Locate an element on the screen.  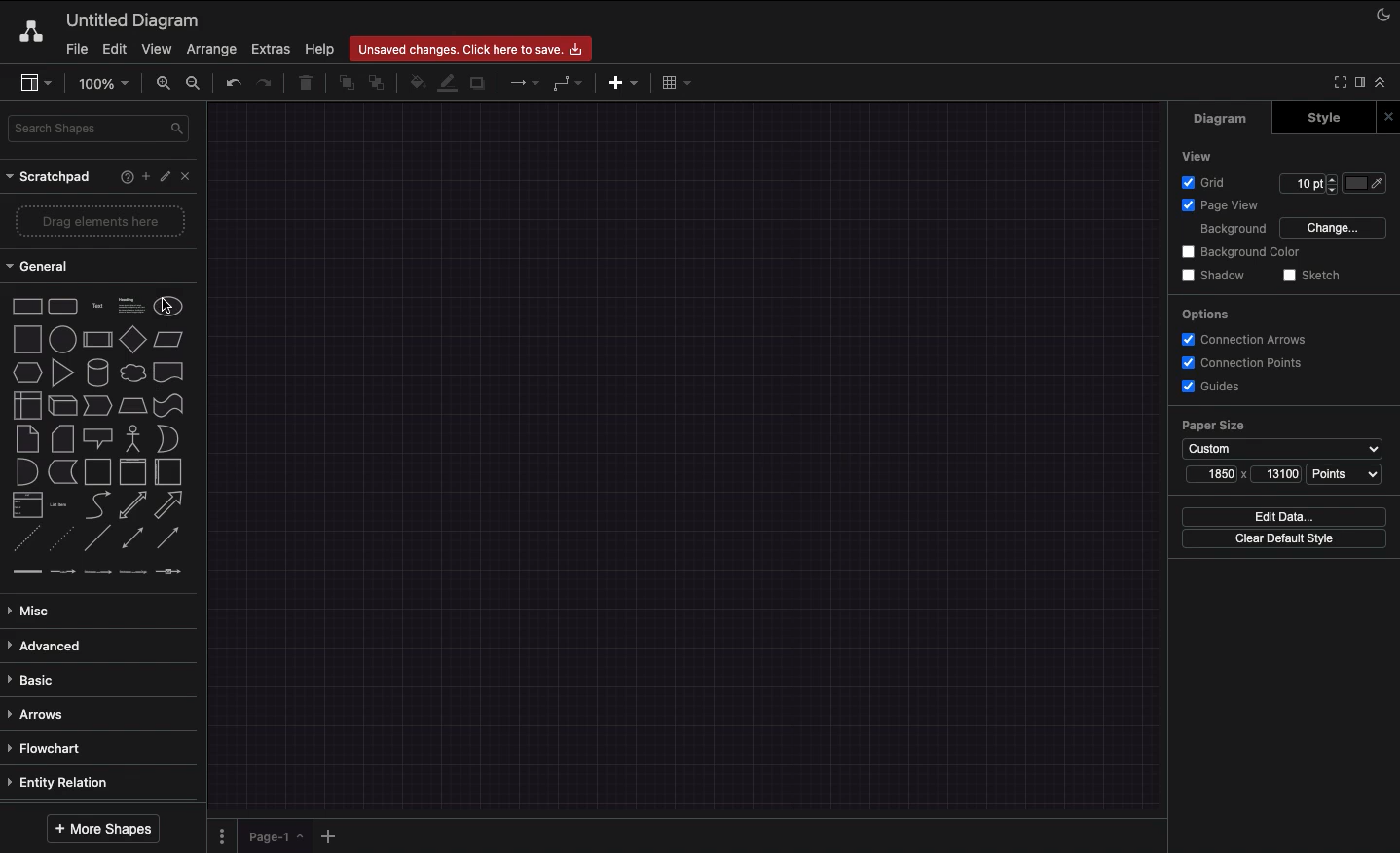
File is located at coordinates (75, 49).